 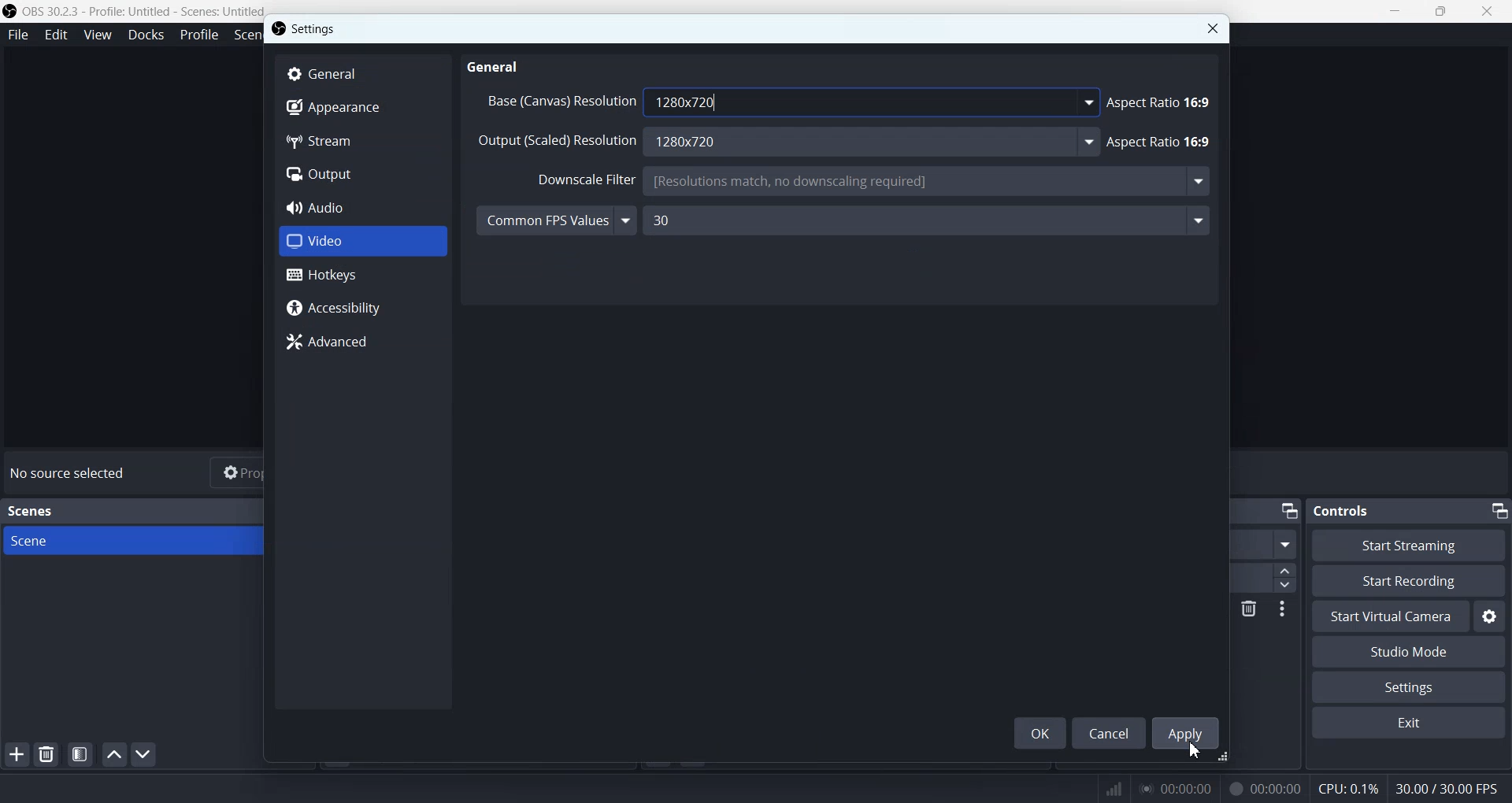 What do you see at coordinates (361, 140) in the screenshot?
I see `Stream` at bounding box center [361, 140].